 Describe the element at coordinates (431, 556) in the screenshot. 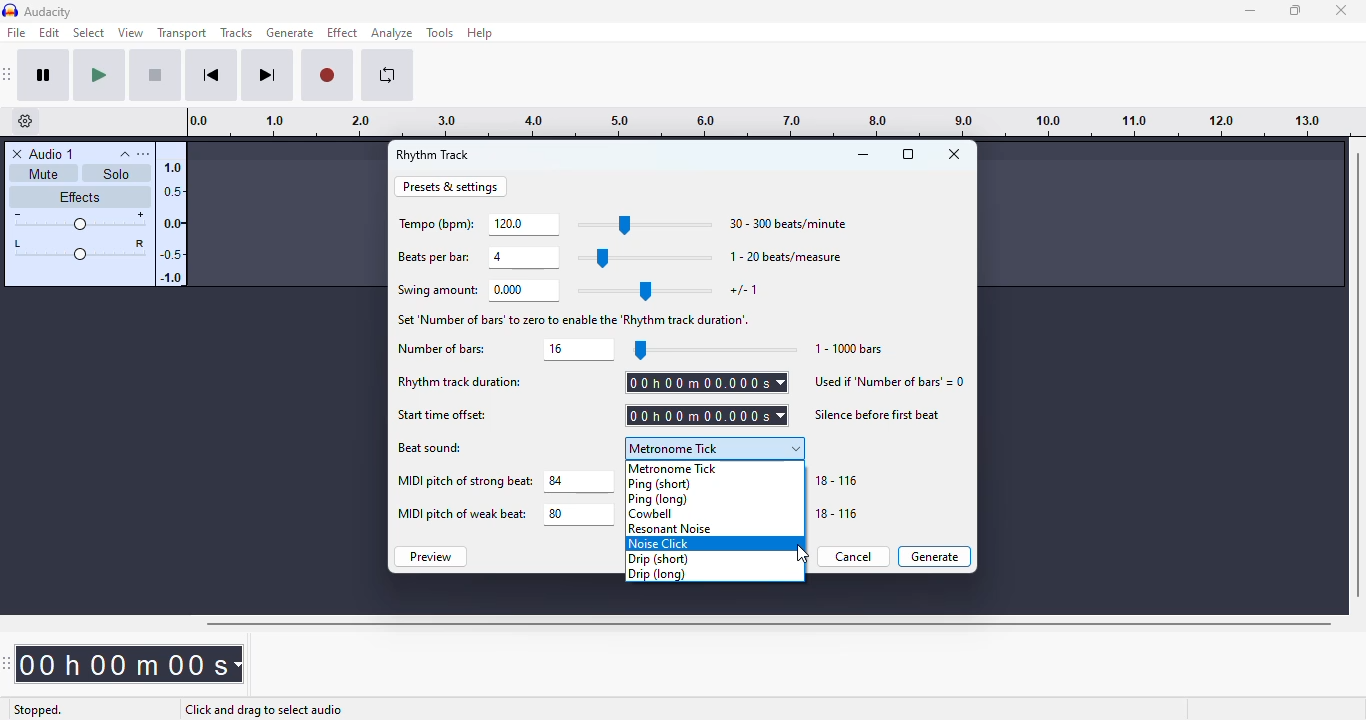

I see `preview` at that location.